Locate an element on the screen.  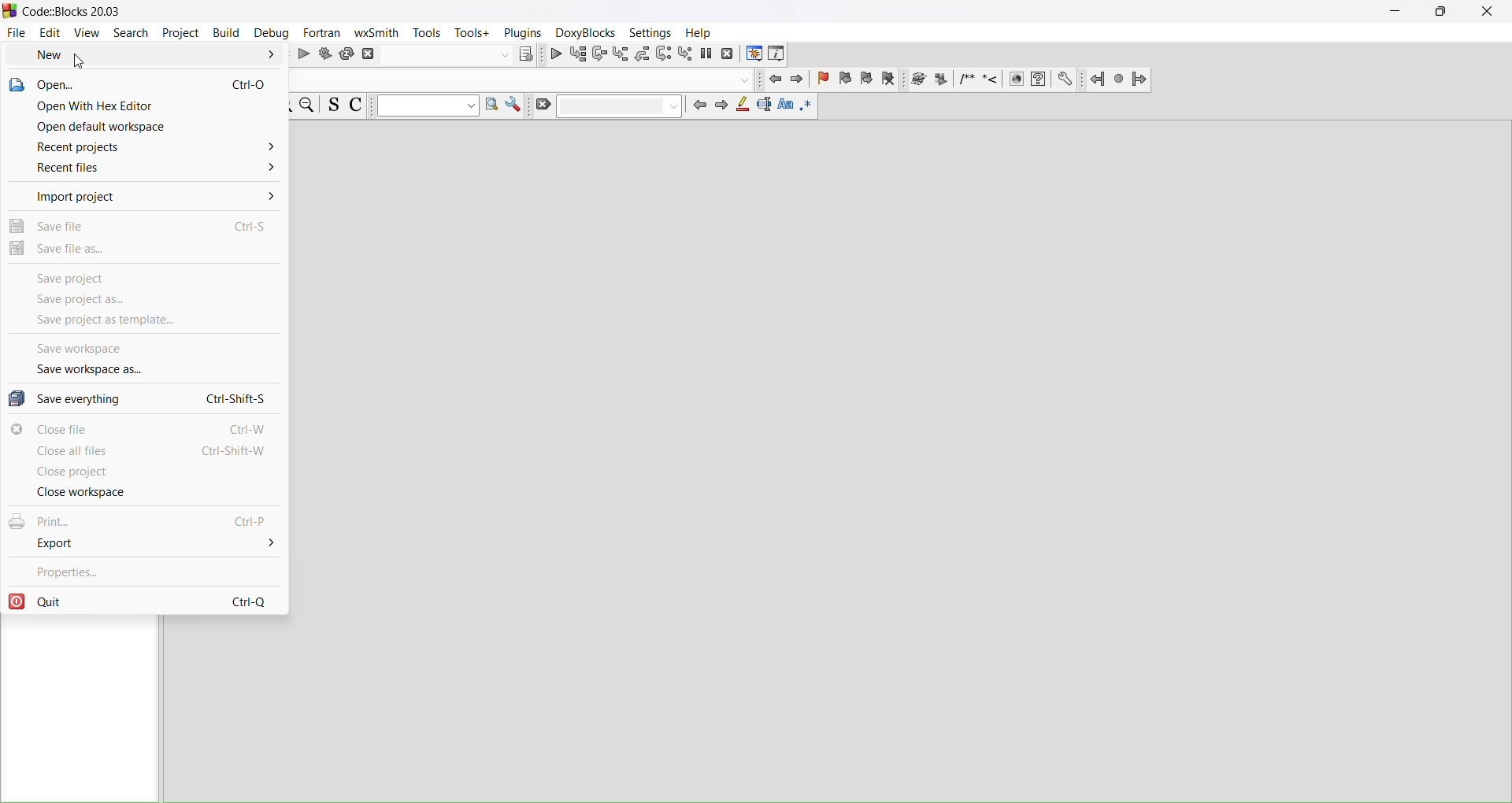
maximize is located at coordinates (1441, 13).